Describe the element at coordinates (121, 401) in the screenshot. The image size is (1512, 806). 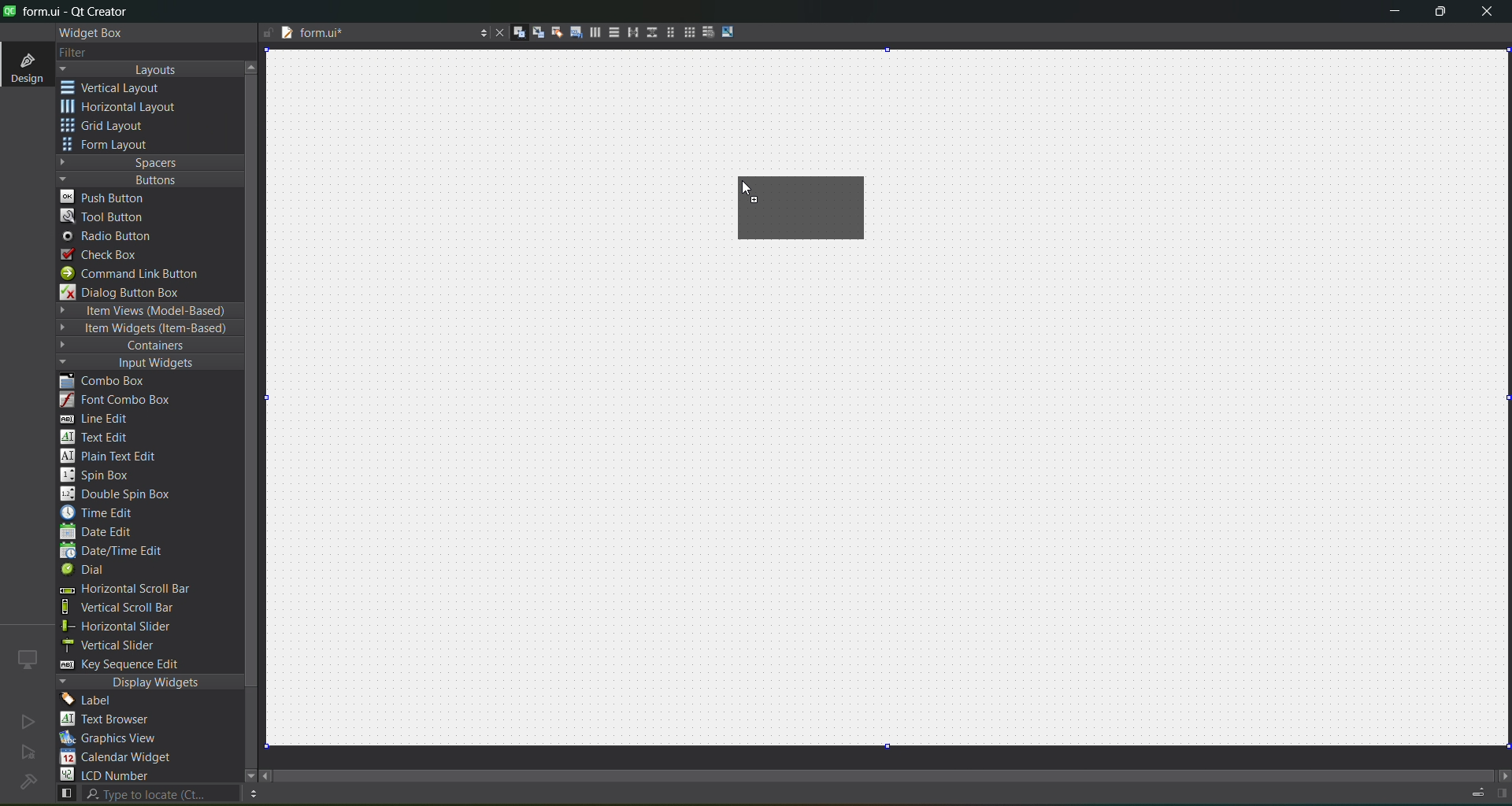
I see `font combo box` at that location.